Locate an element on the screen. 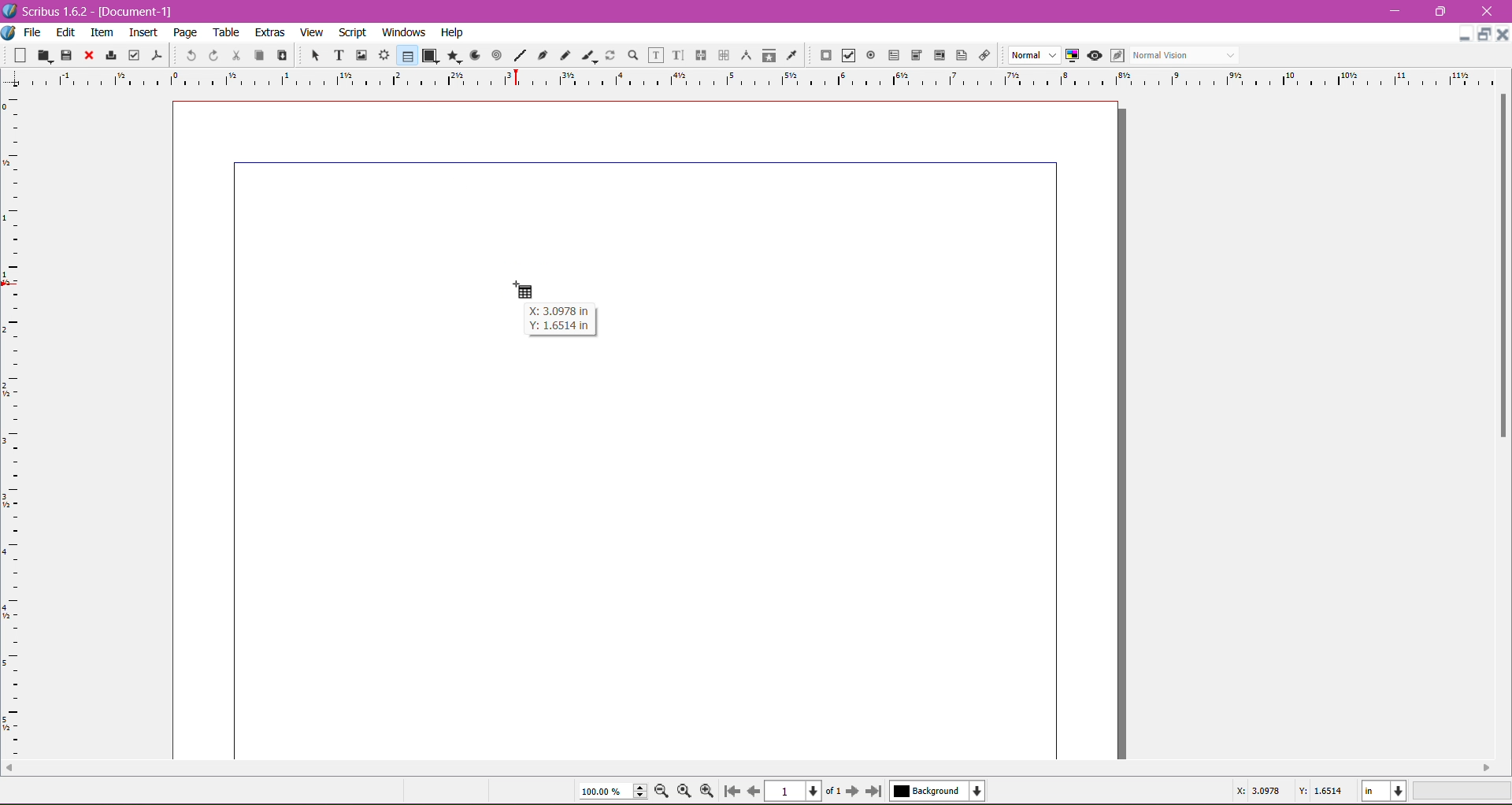  Preview Mode is located at coordinates (1094, 55).